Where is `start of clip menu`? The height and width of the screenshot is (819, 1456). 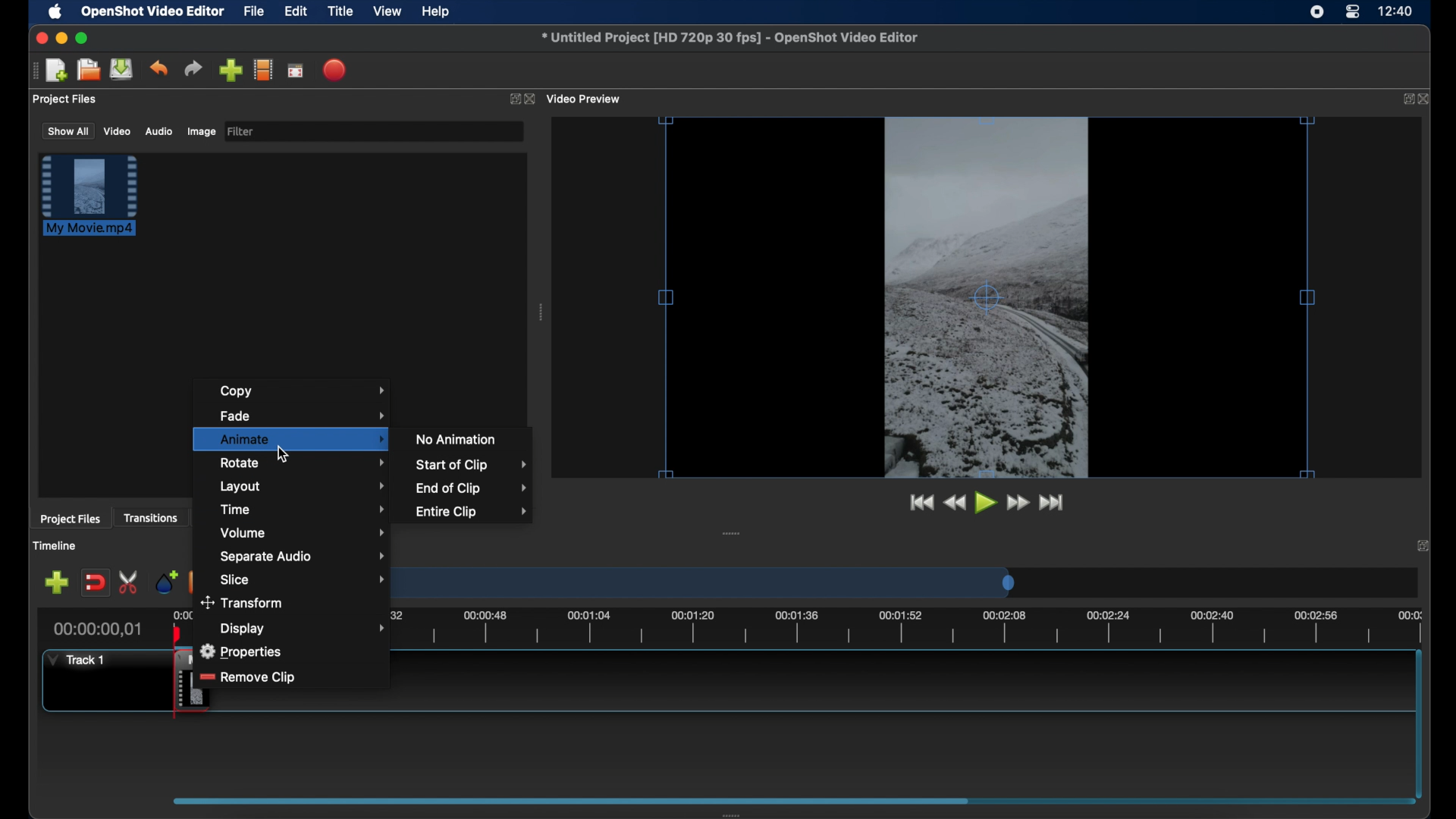 start of clip menu is located at coordinates (472, 463).